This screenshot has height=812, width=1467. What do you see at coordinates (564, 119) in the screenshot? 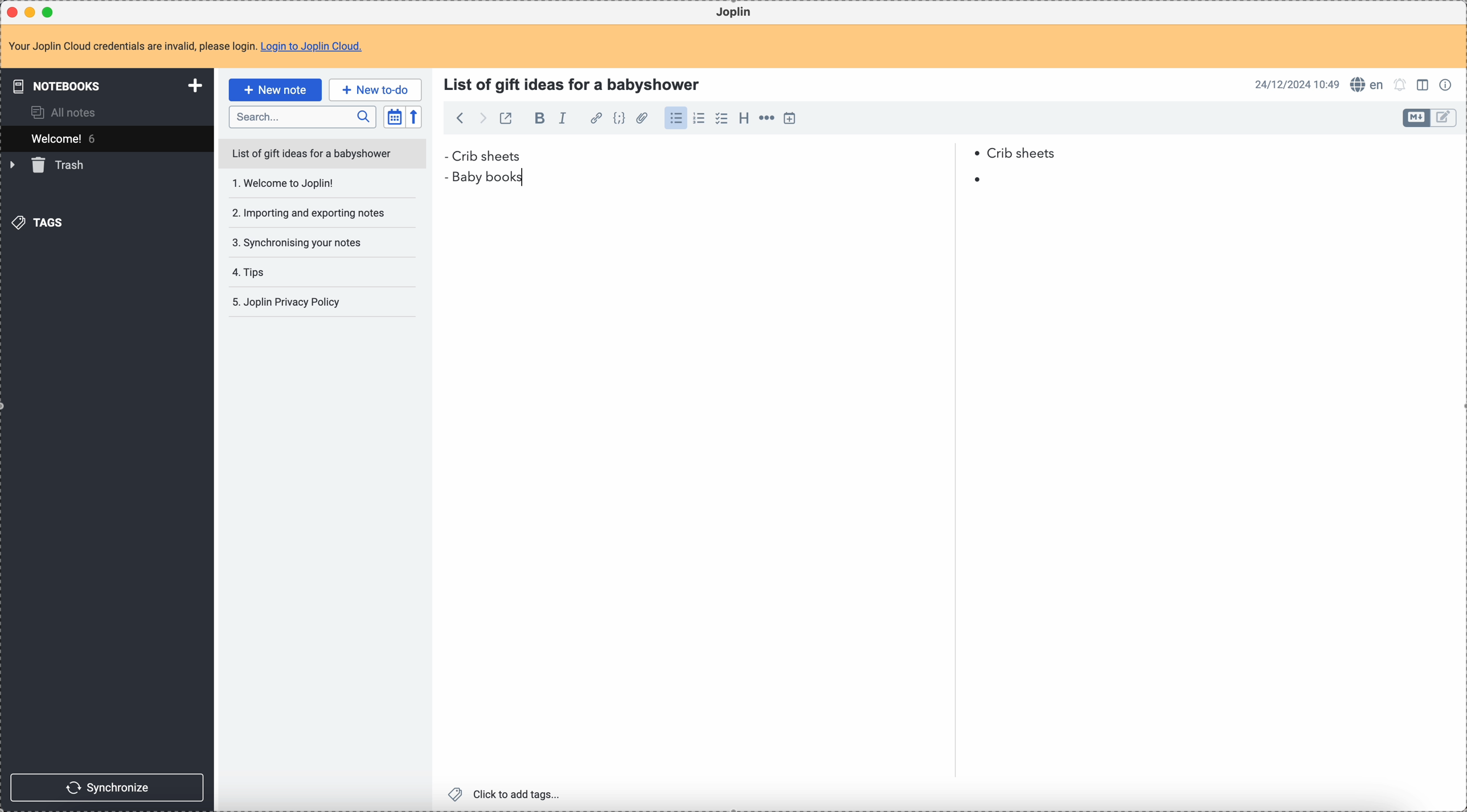
I see `italic` at bounding box center [564, 119].